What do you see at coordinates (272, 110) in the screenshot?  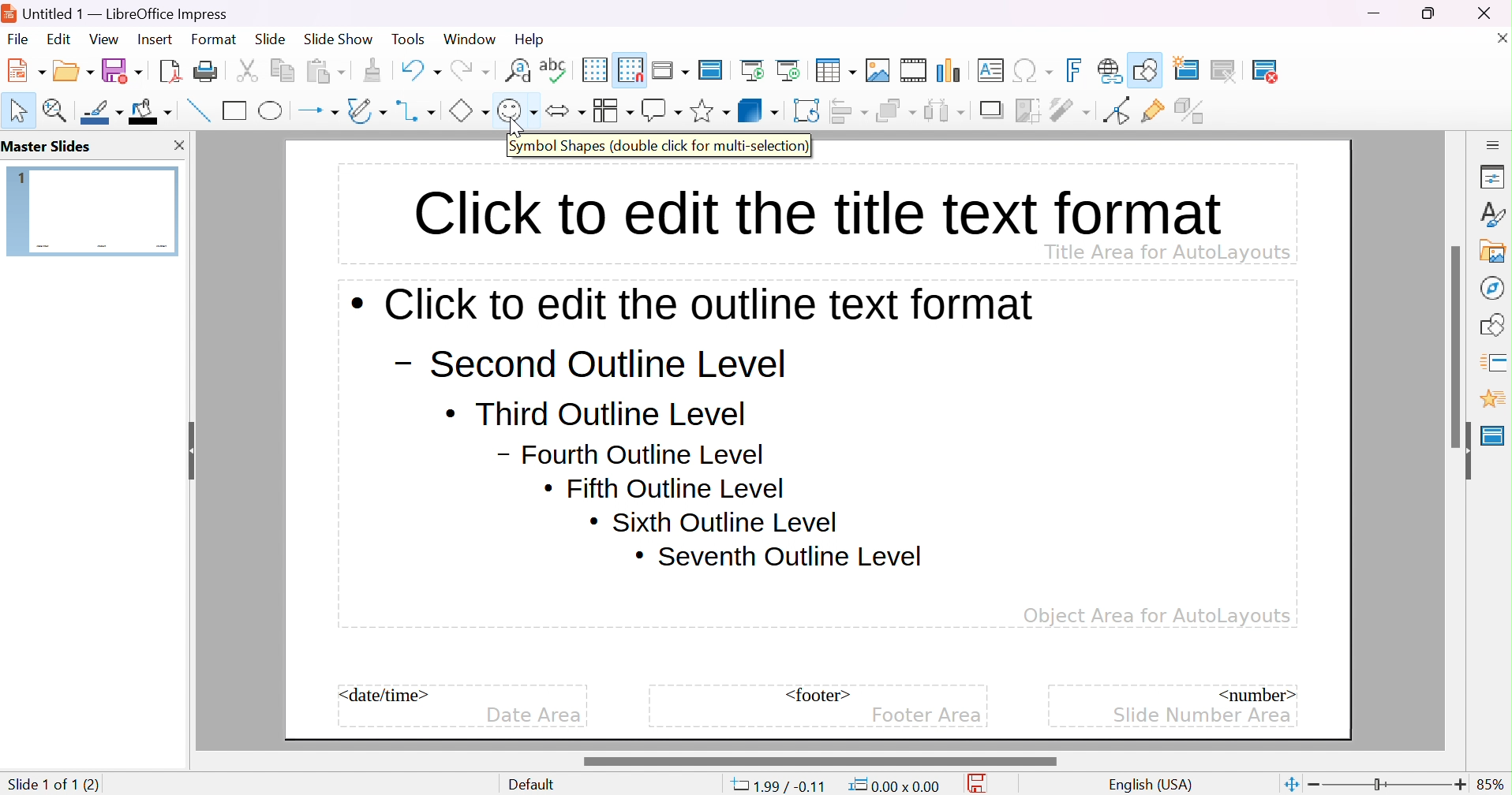 I see `ellipse` at bounding box center [272, 110].